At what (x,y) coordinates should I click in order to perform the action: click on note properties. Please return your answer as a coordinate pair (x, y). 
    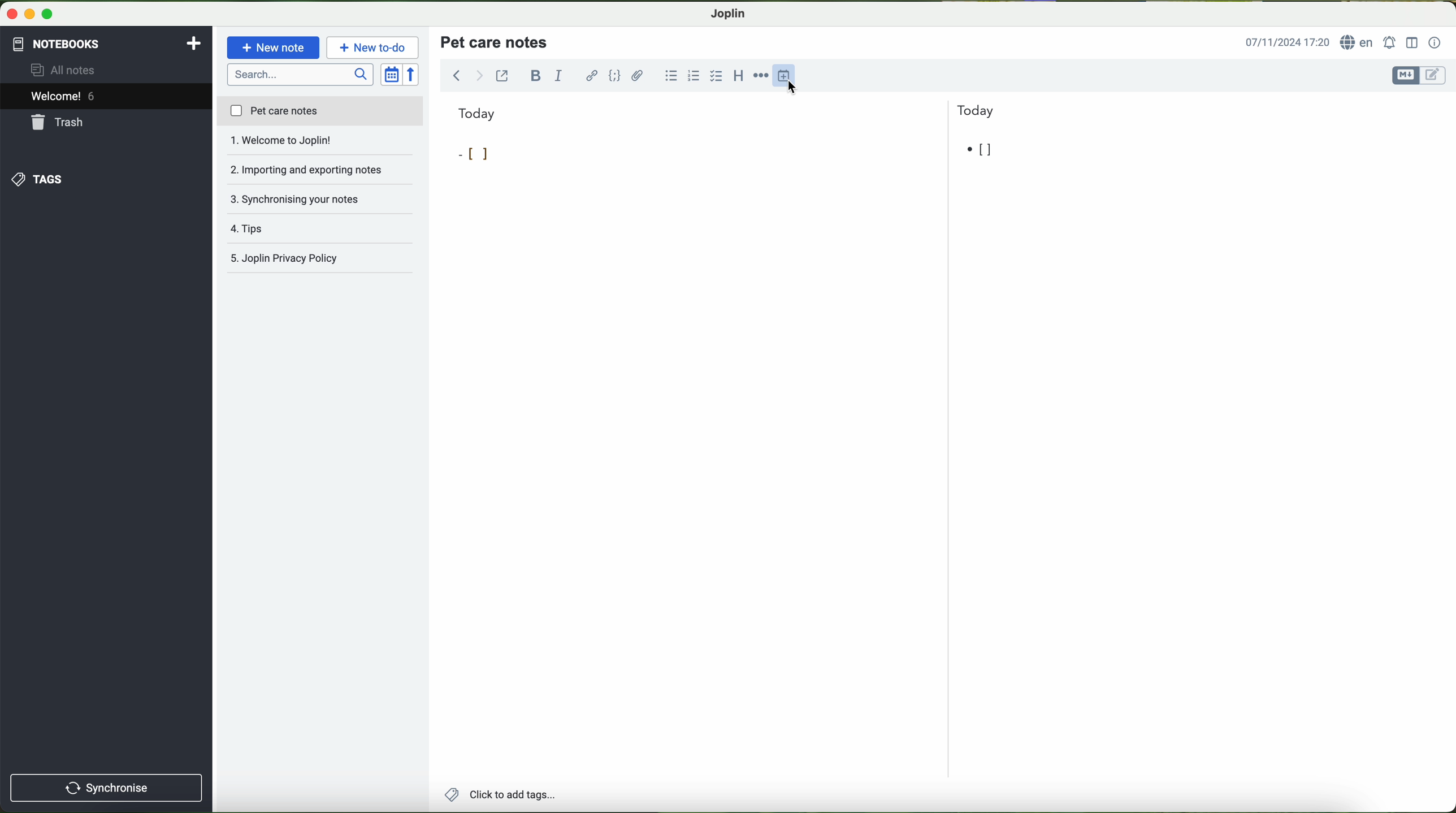
    Looking at the image, I should click on (1435, 43).